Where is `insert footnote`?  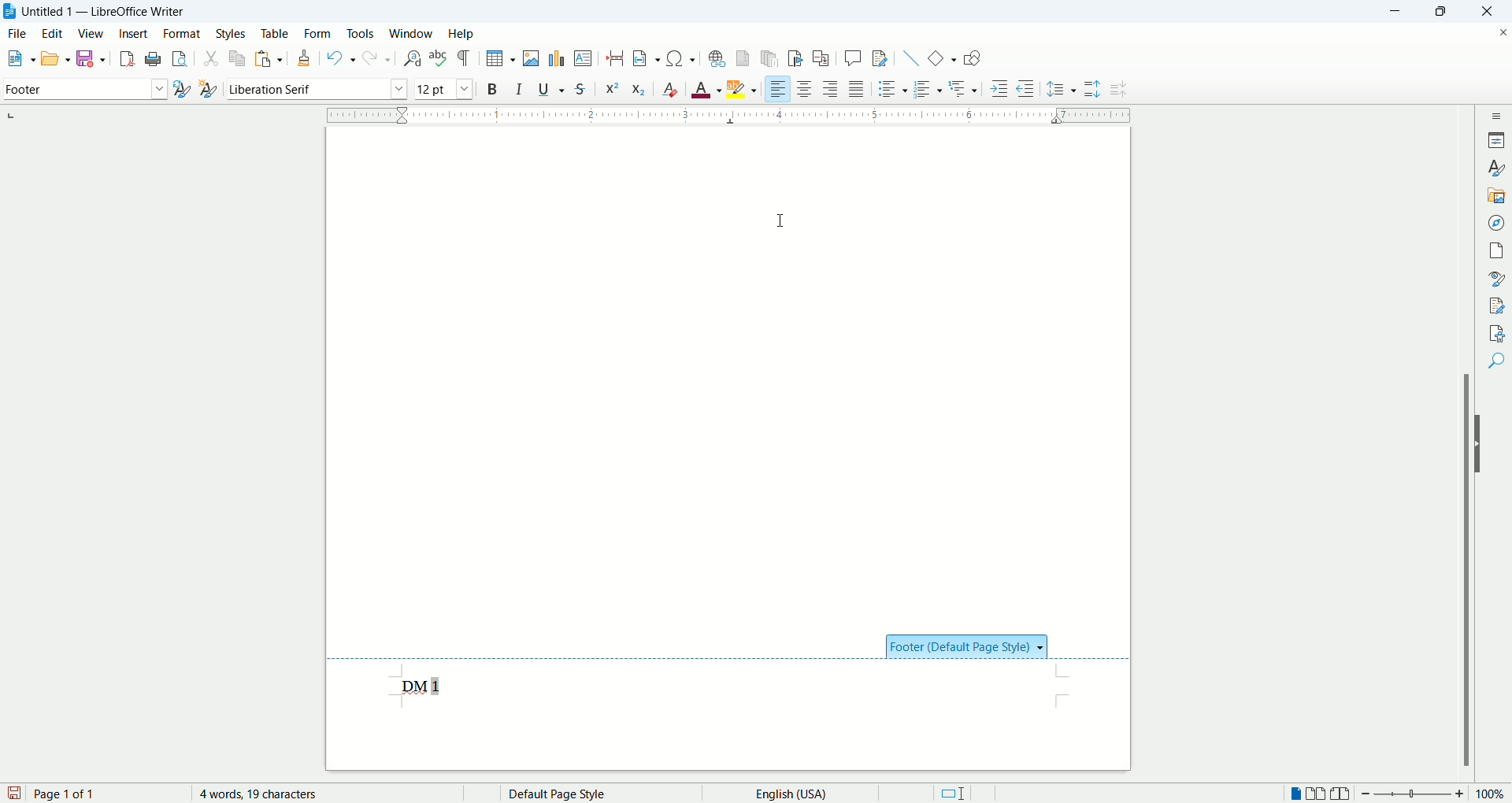 insert footnote is located at coordinates (743, 58).